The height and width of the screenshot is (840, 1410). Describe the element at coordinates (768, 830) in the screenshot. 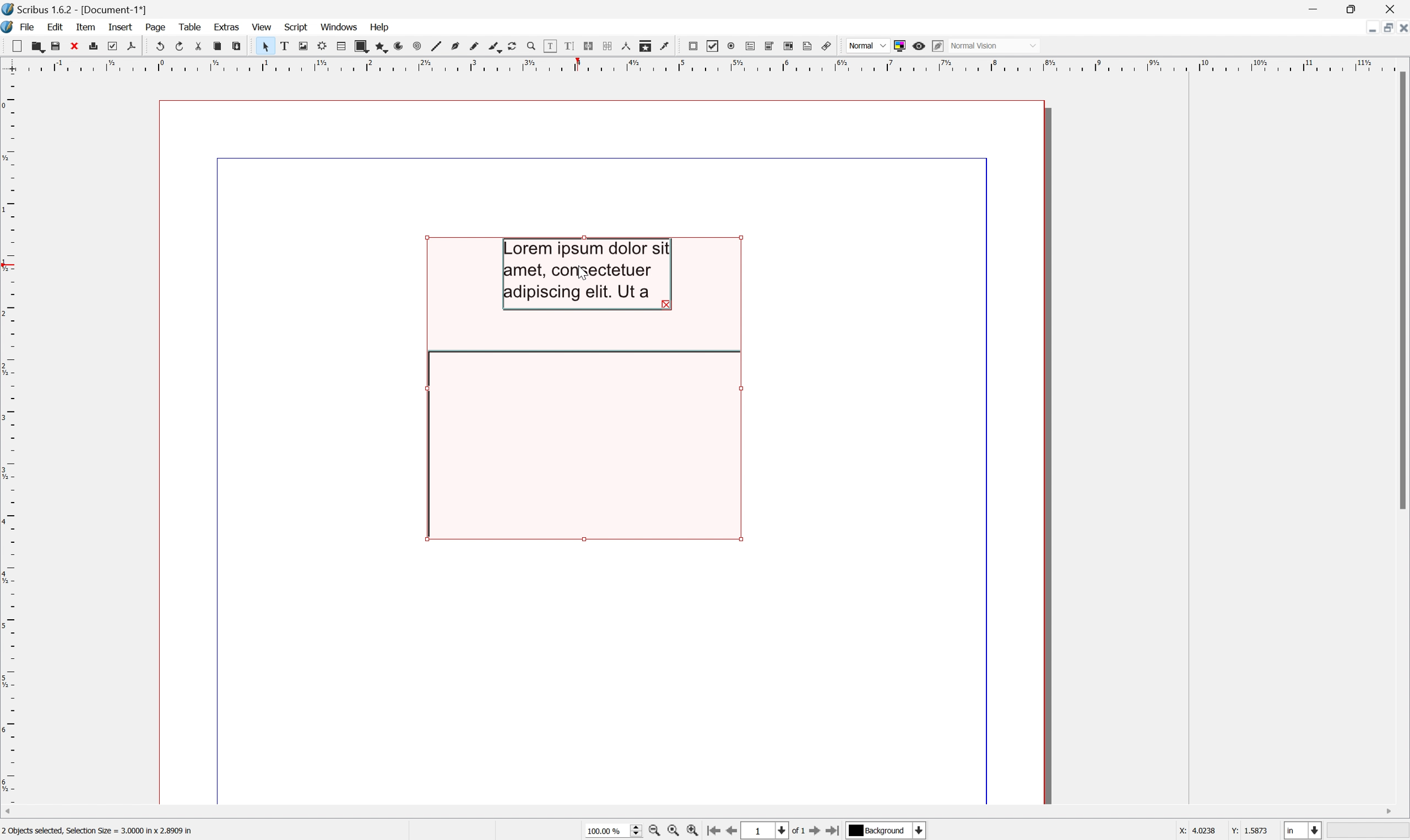

I see `Select the current page` at that location.